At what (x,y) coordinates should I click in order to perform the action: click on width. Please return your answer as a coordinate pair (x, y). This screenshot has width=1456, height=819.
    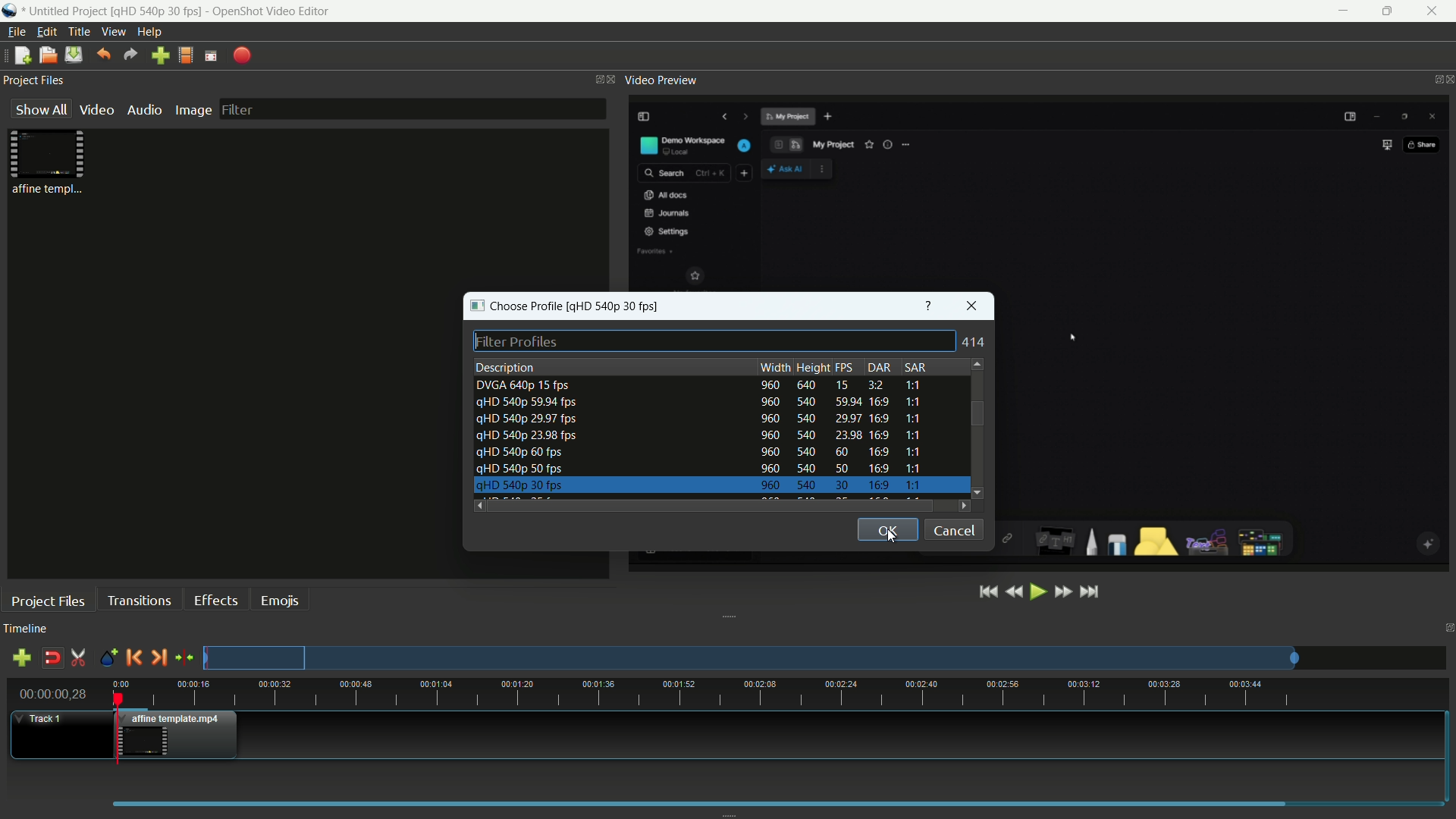
    Looking at the image, I should click on (775, 367).